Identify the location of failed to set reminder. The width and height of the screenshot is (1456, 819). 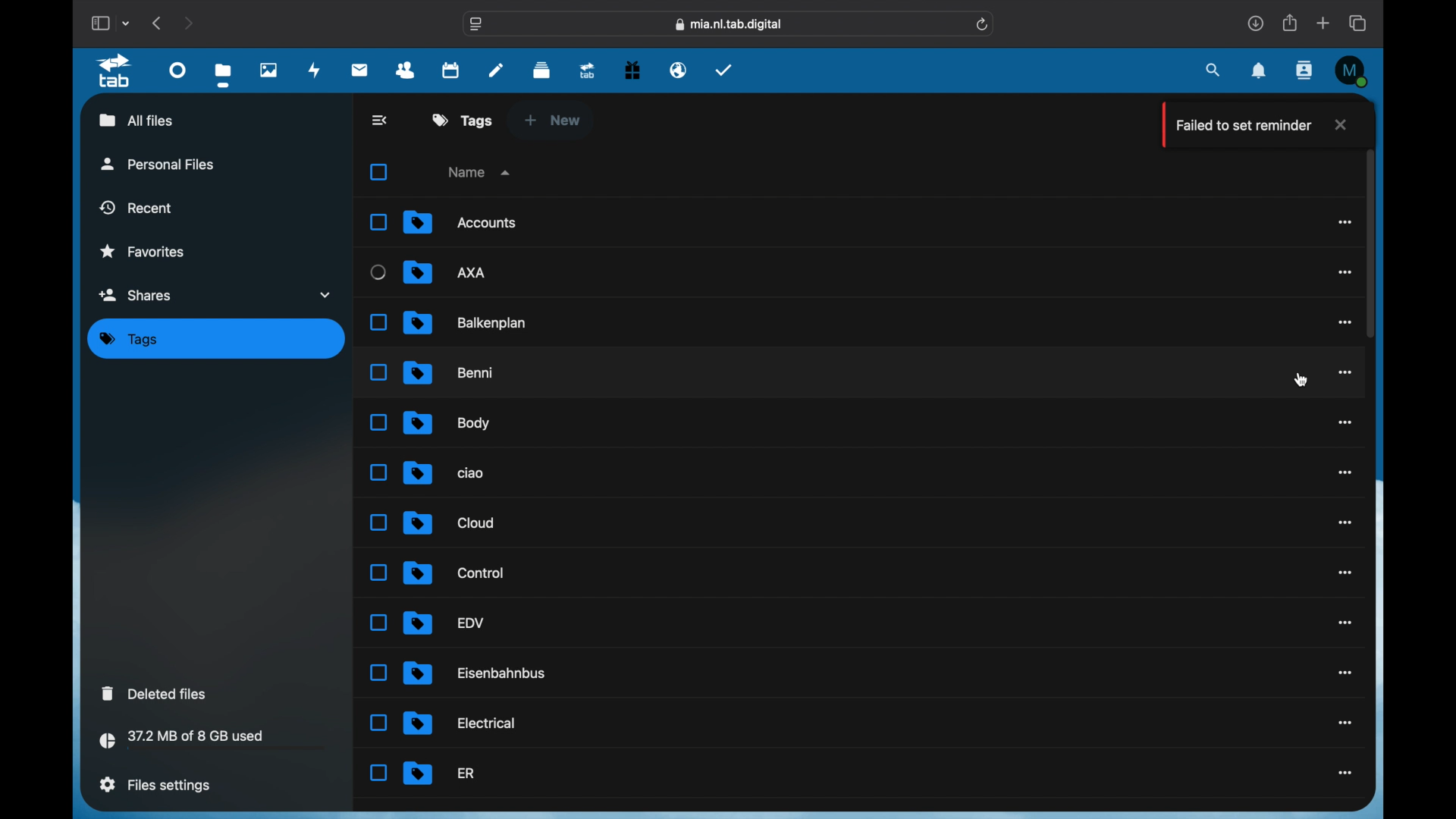
(1239, 125).